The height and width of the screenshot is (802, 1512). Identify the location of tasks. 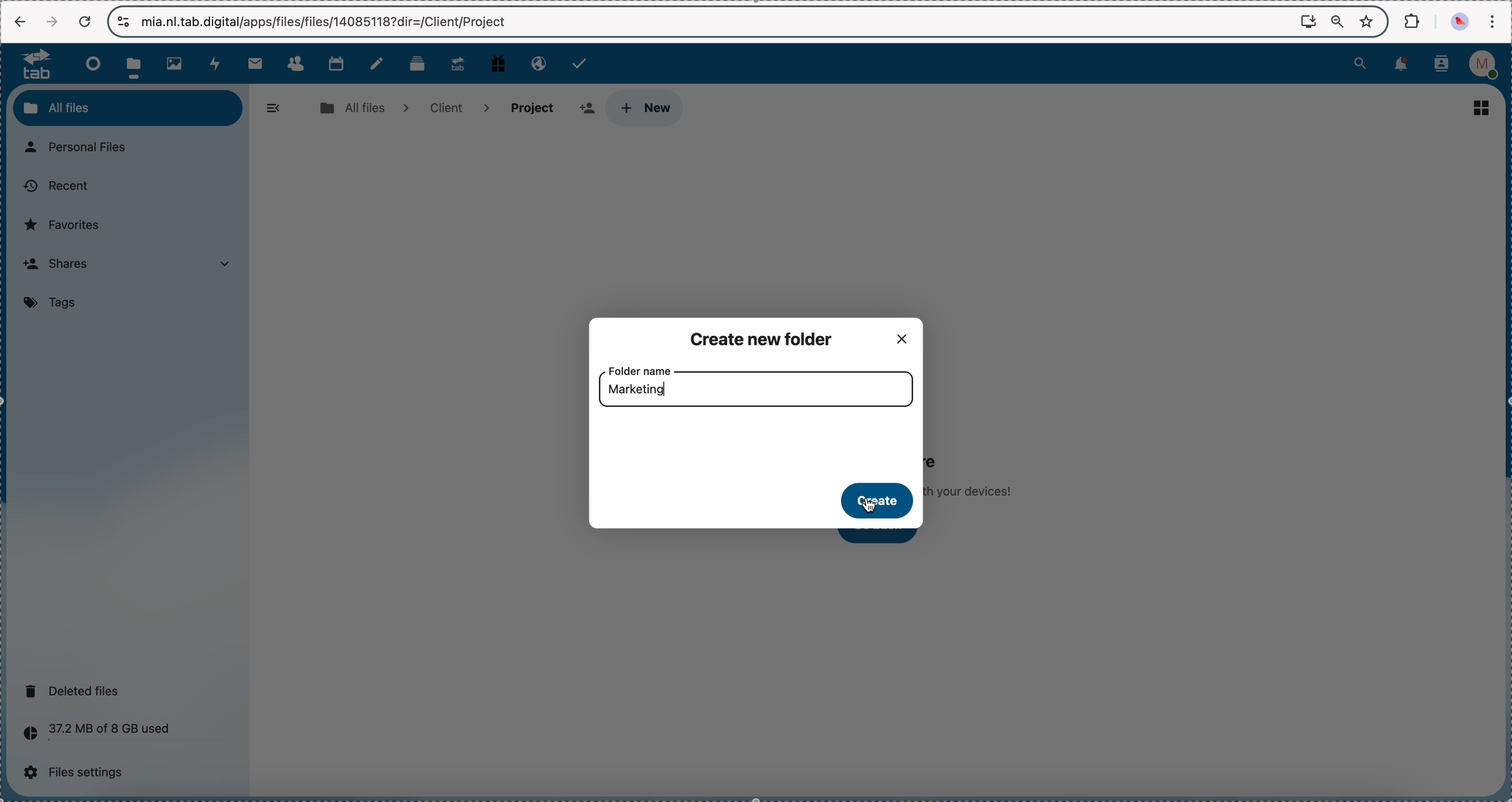
(581, 63).